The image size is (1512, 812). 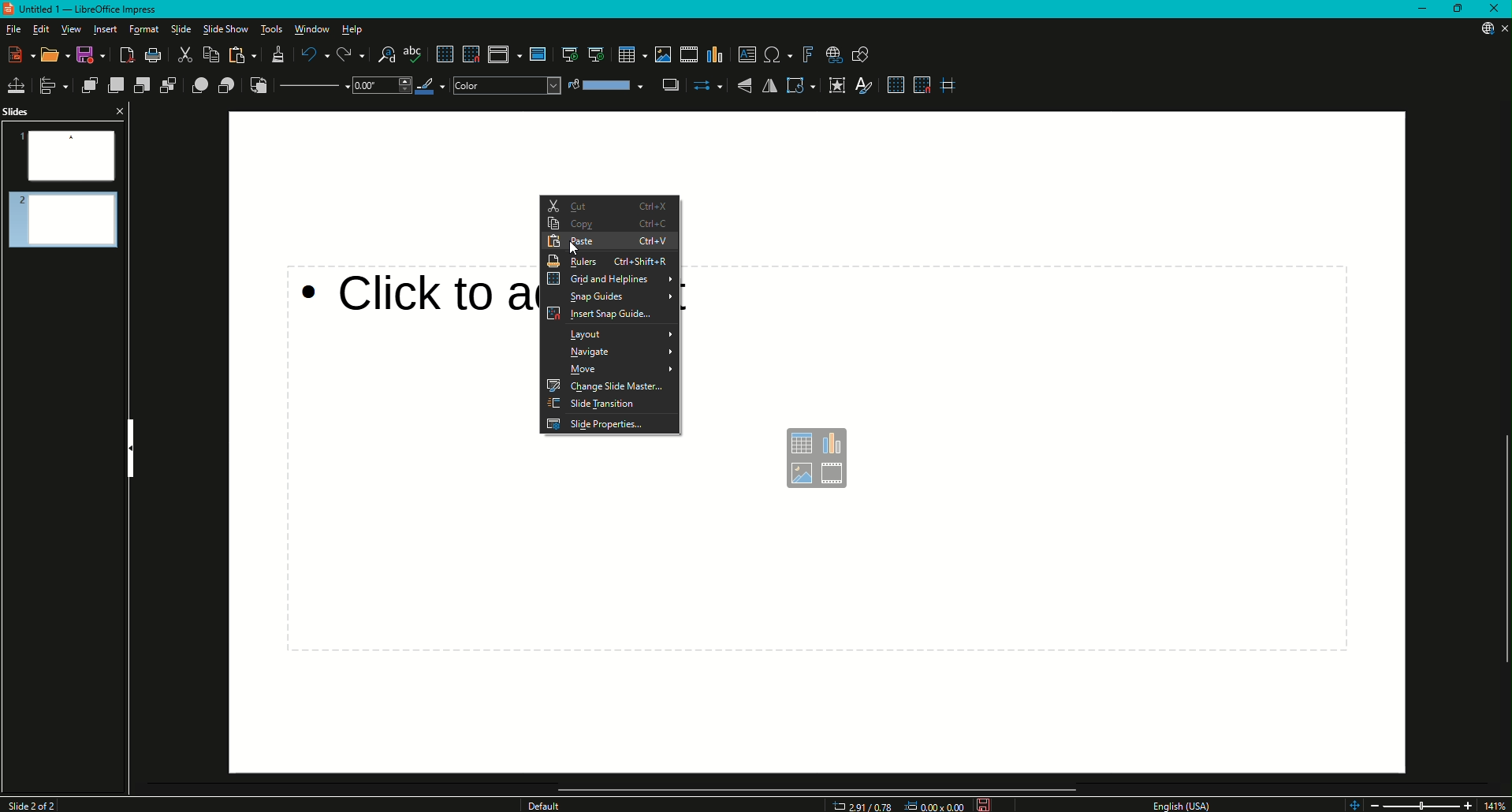 I want to click on Snap to Grid, so click(x=468, y=52).